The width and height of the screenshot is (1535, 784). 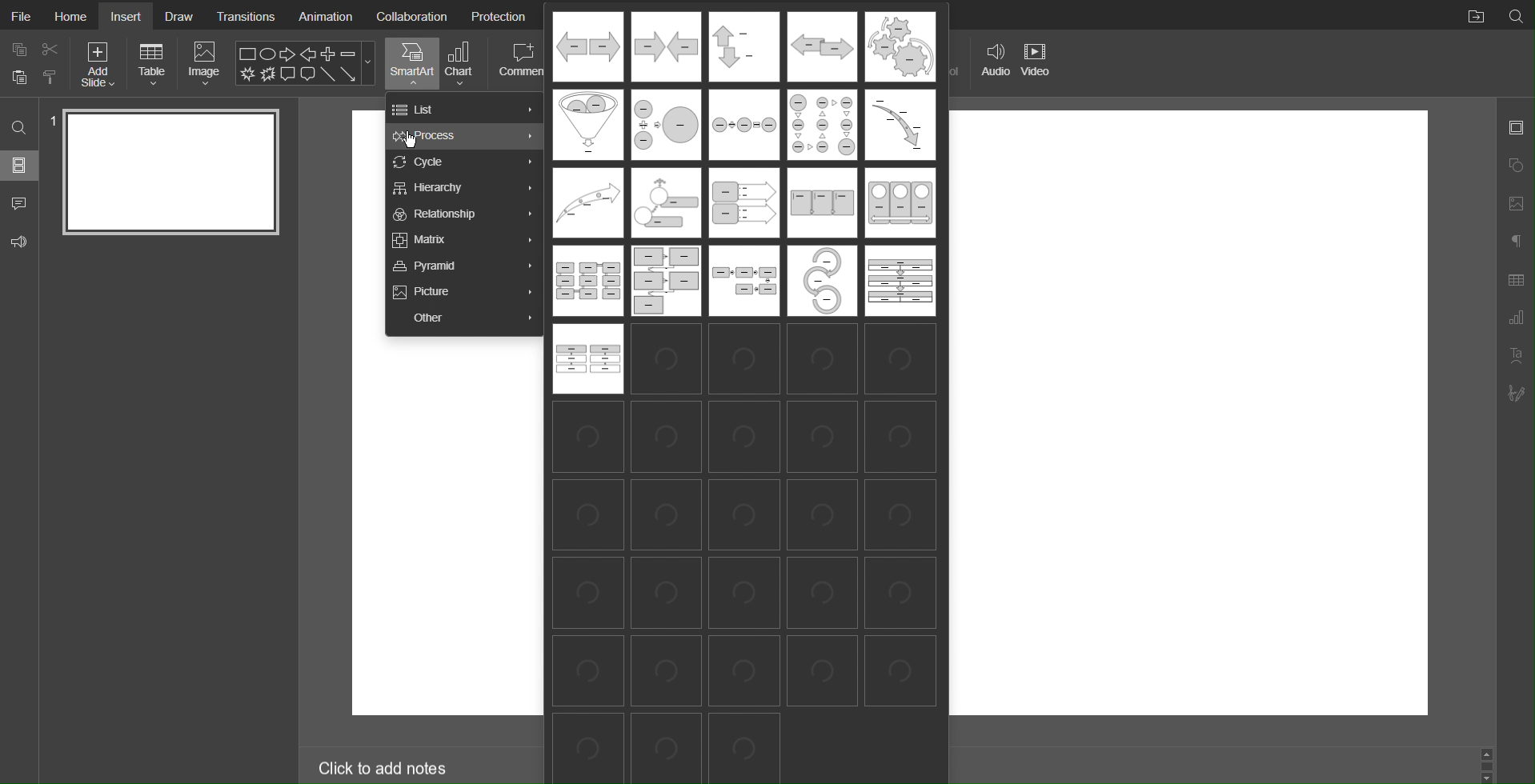 I want to click on Paragraph Settings, so click(x=1516, y=242).